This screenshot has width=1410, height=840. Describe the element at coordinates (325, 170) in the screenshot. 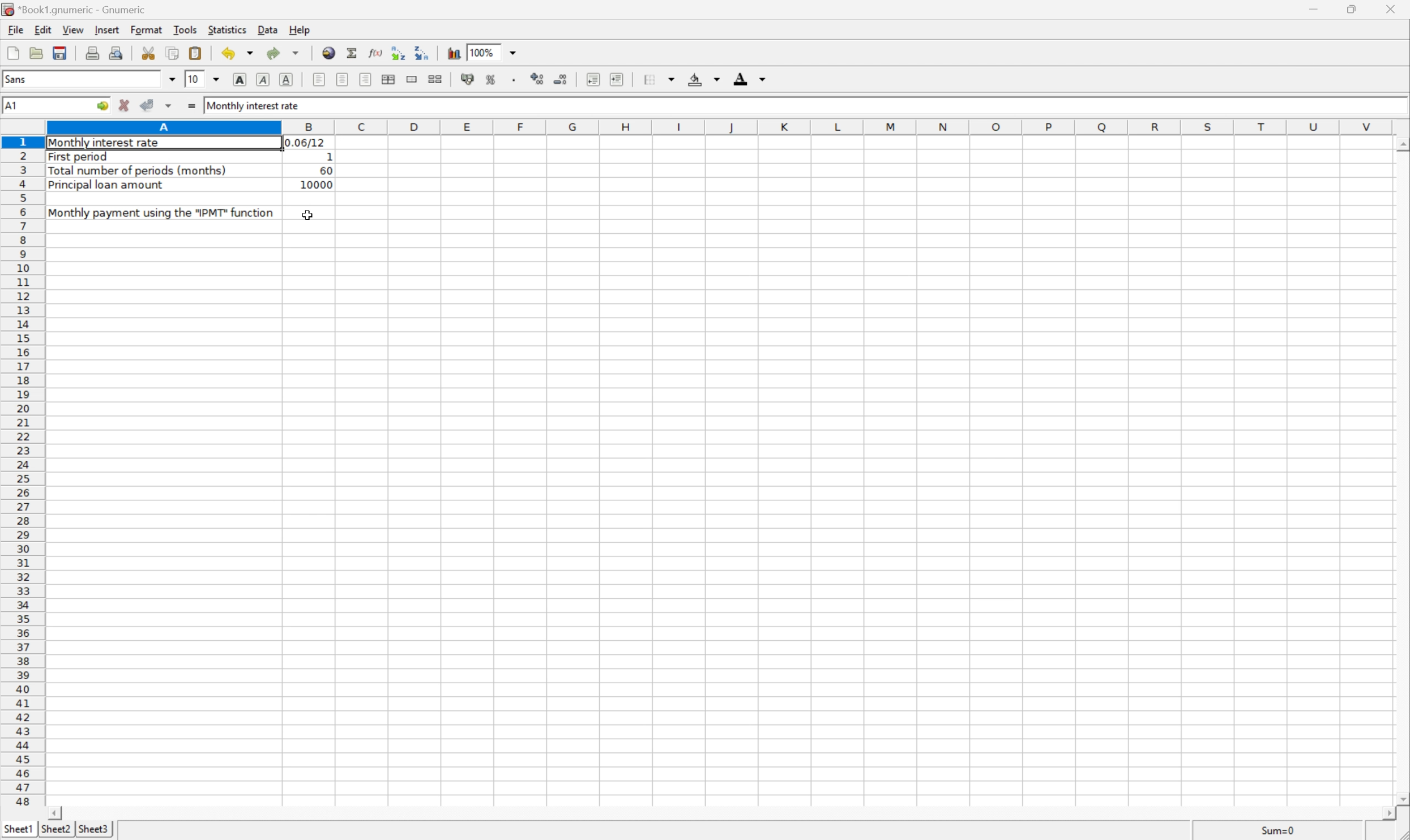

I see `60` at that location.